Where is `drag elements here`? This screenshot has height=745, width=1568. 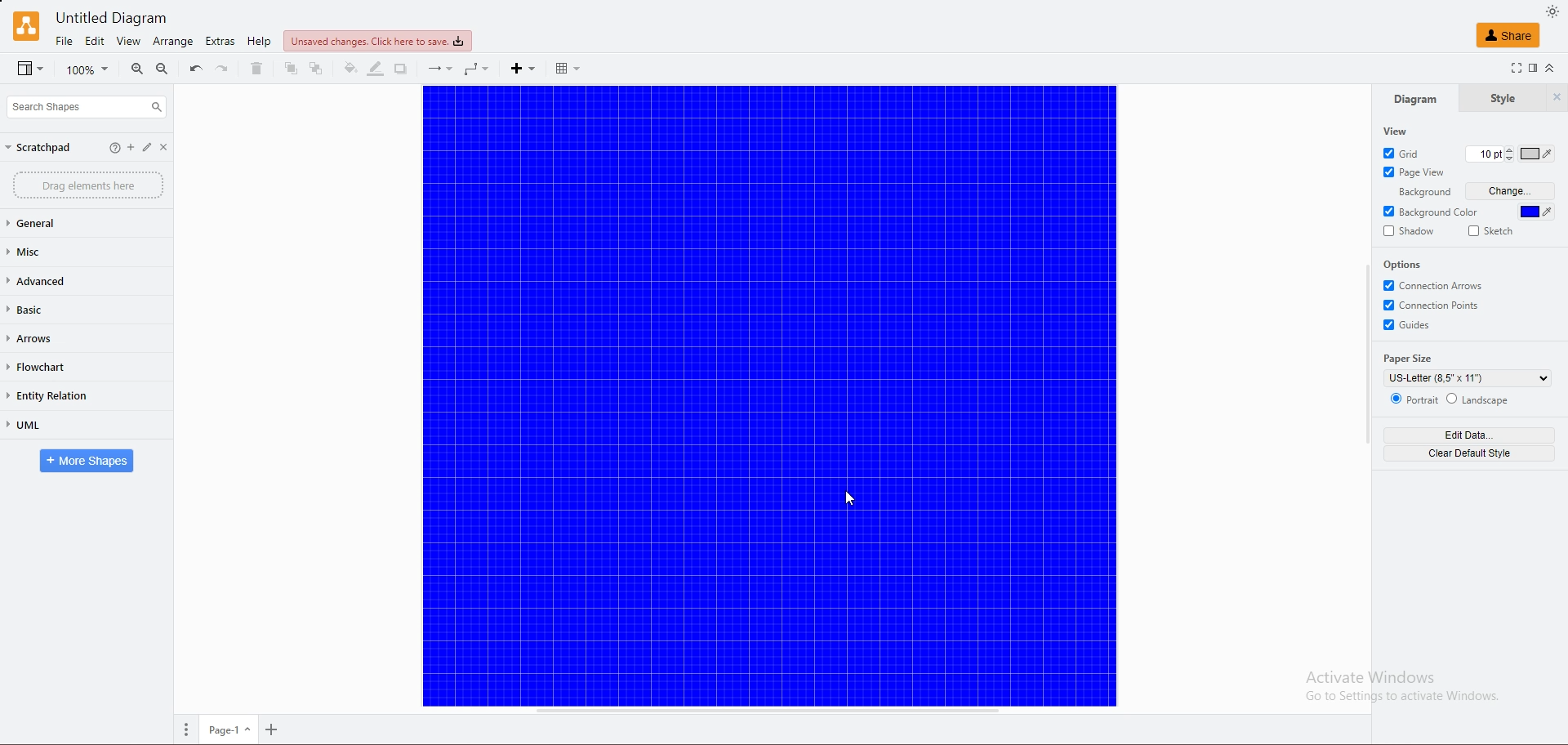
drag elements here is located at coordinates (88, 185).